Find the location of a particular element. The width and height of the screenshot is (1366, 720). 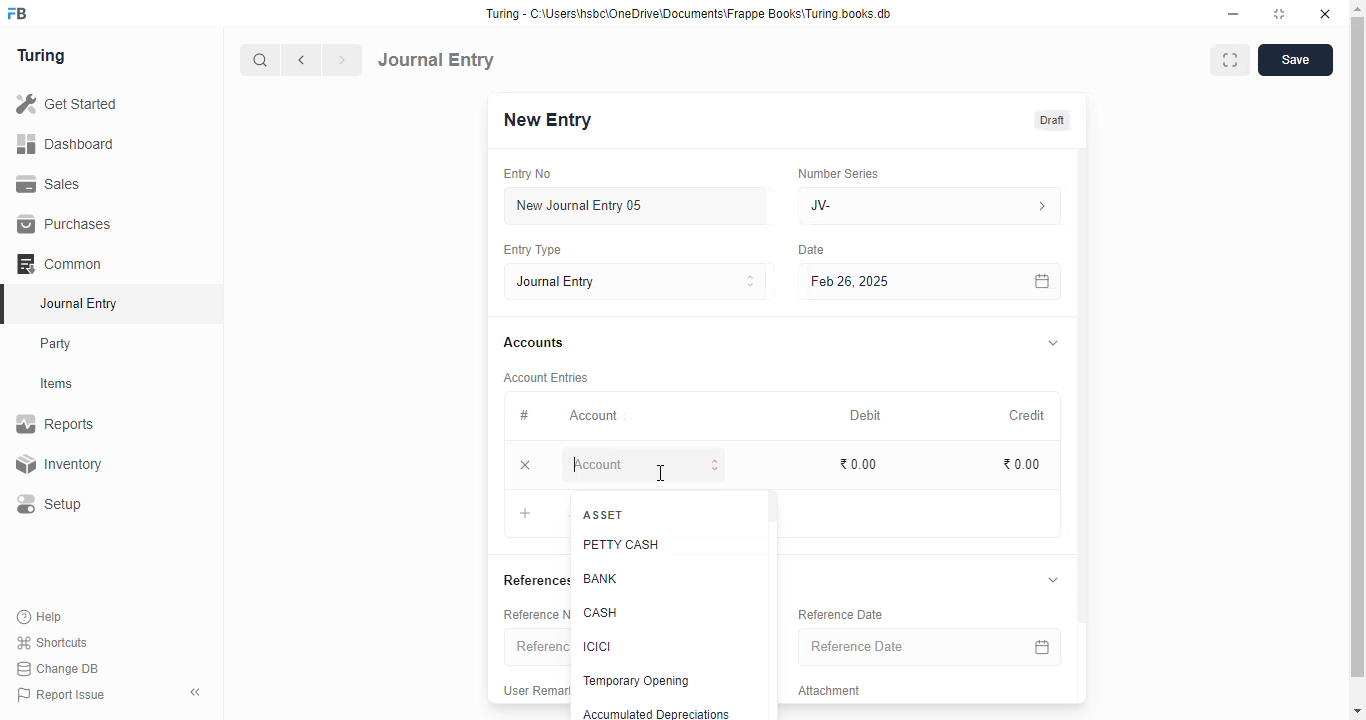

turing is located at coordinates (42, 57).